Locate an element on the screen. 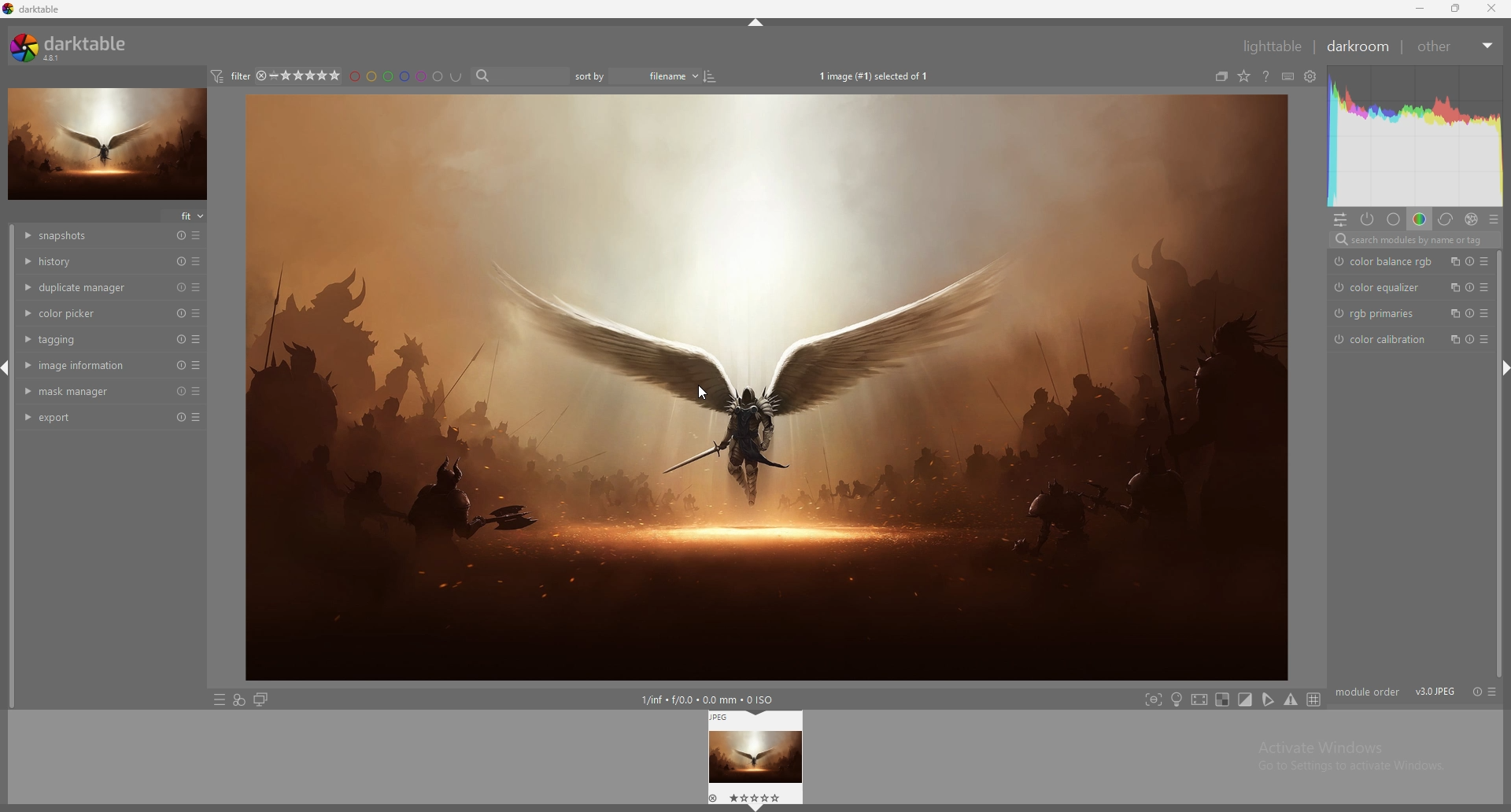 The width and height of the screenshot is (1511, 812). multiple instance action is located at coordinates (1452, 339).